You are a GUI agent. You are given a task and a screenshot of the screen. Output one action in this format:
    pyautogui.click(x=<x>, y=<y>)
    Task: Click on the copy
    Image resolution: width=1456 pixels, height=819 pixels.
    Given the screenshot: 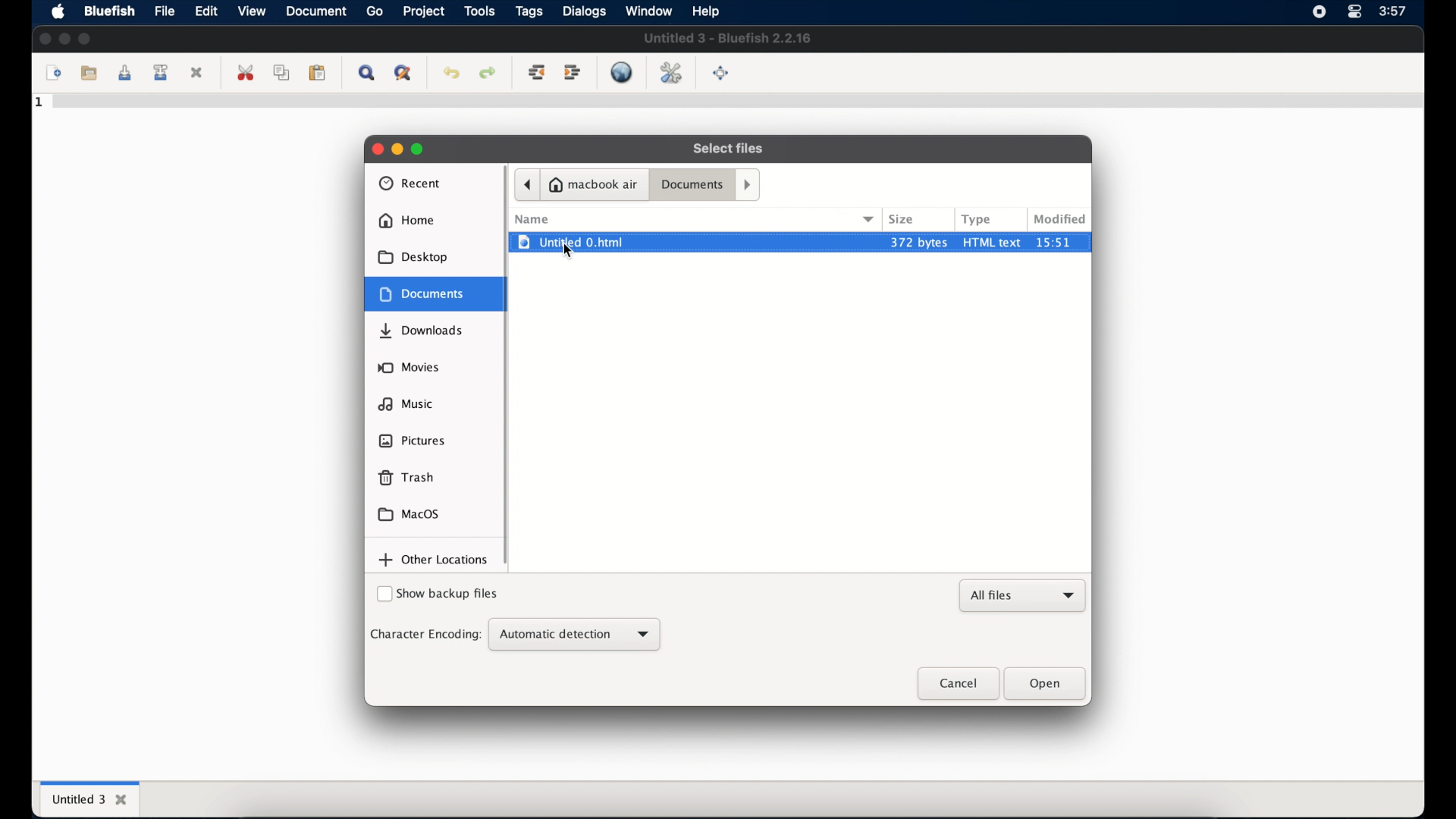 What is the action you would take?
    pyautogui.click(x=281, y=74)
    